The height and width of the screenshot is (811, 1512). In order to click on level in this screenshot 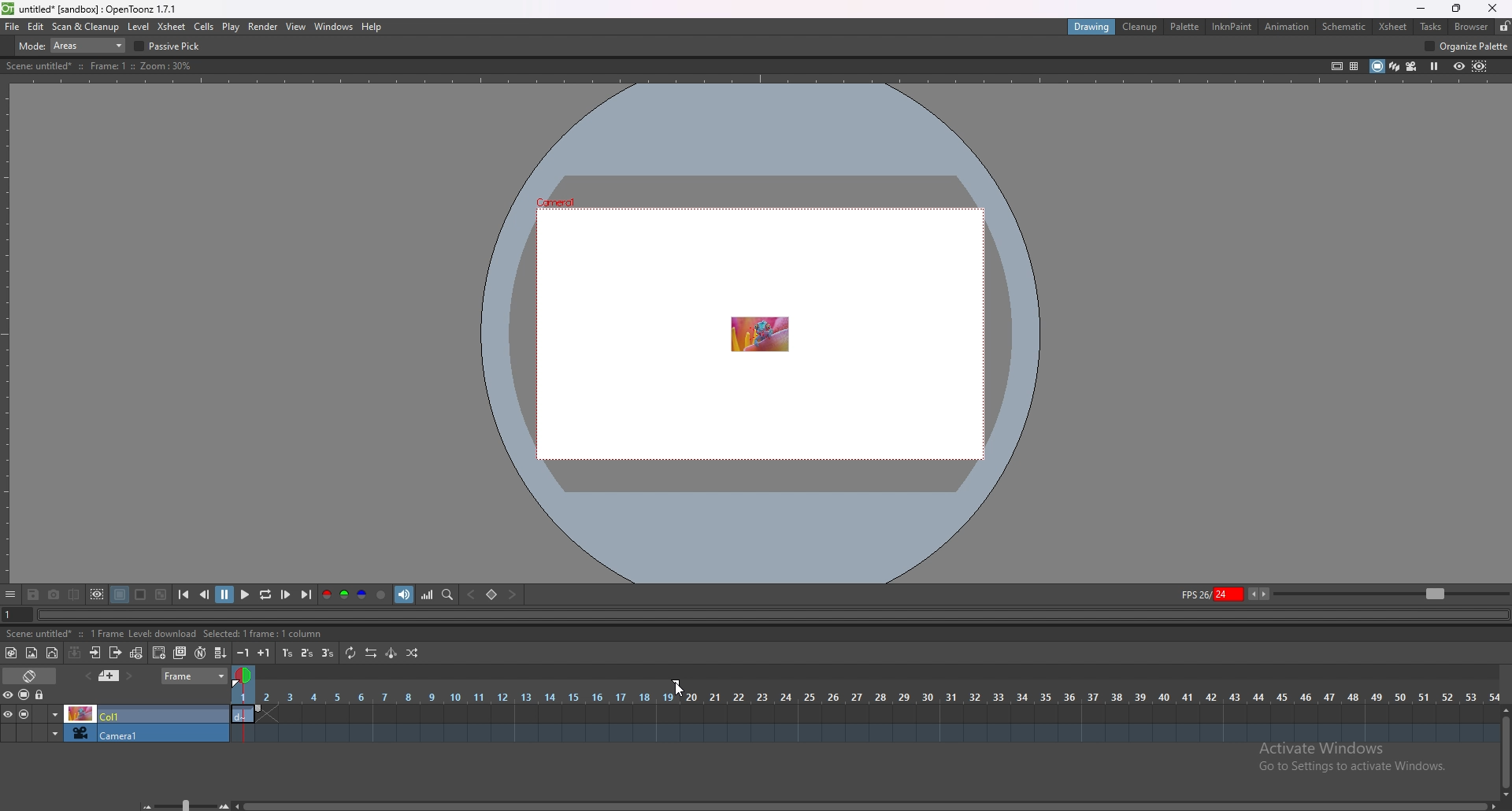, I will do `click(138, 28)`.